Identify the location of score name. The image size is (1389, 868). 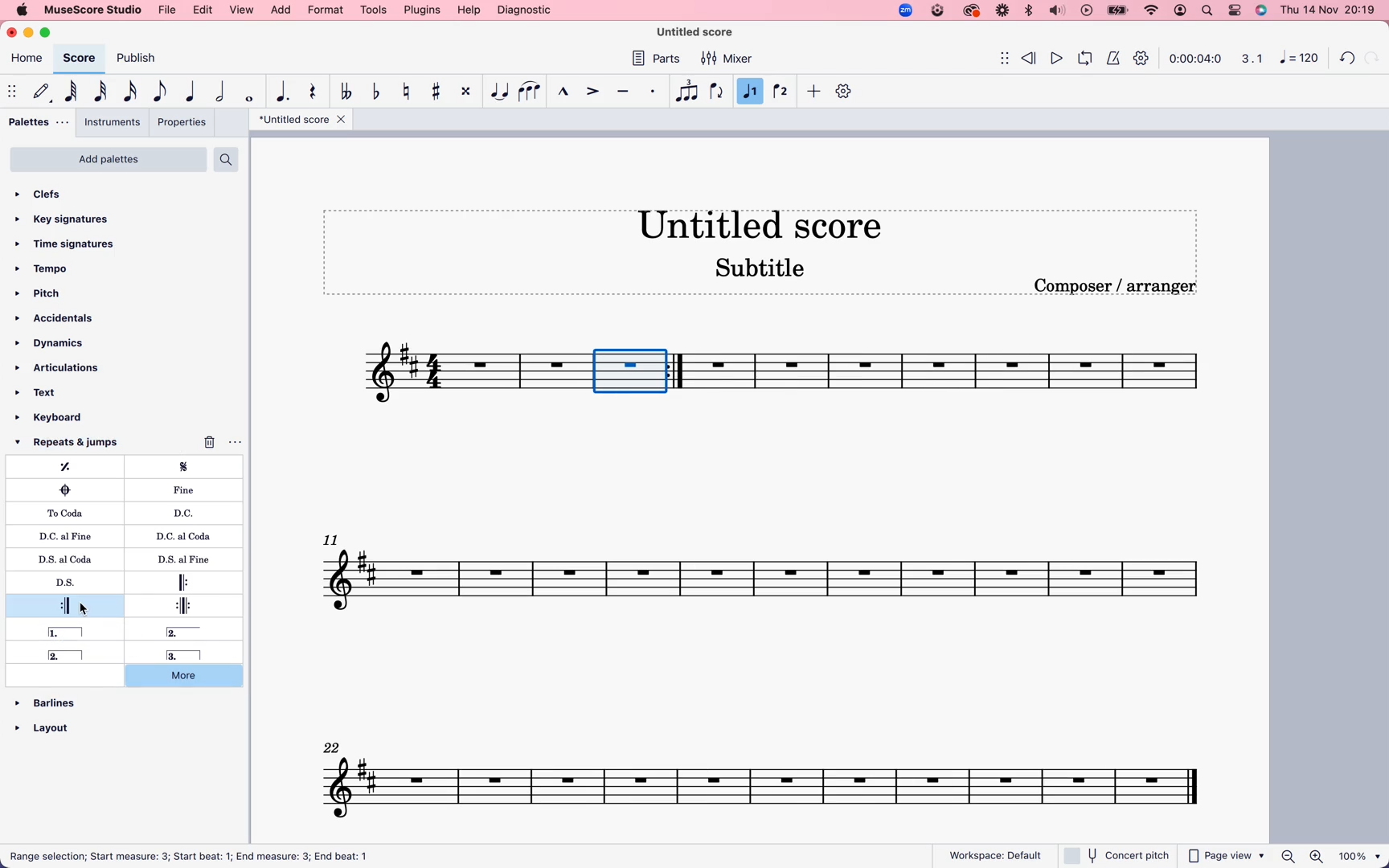
(301, 120).